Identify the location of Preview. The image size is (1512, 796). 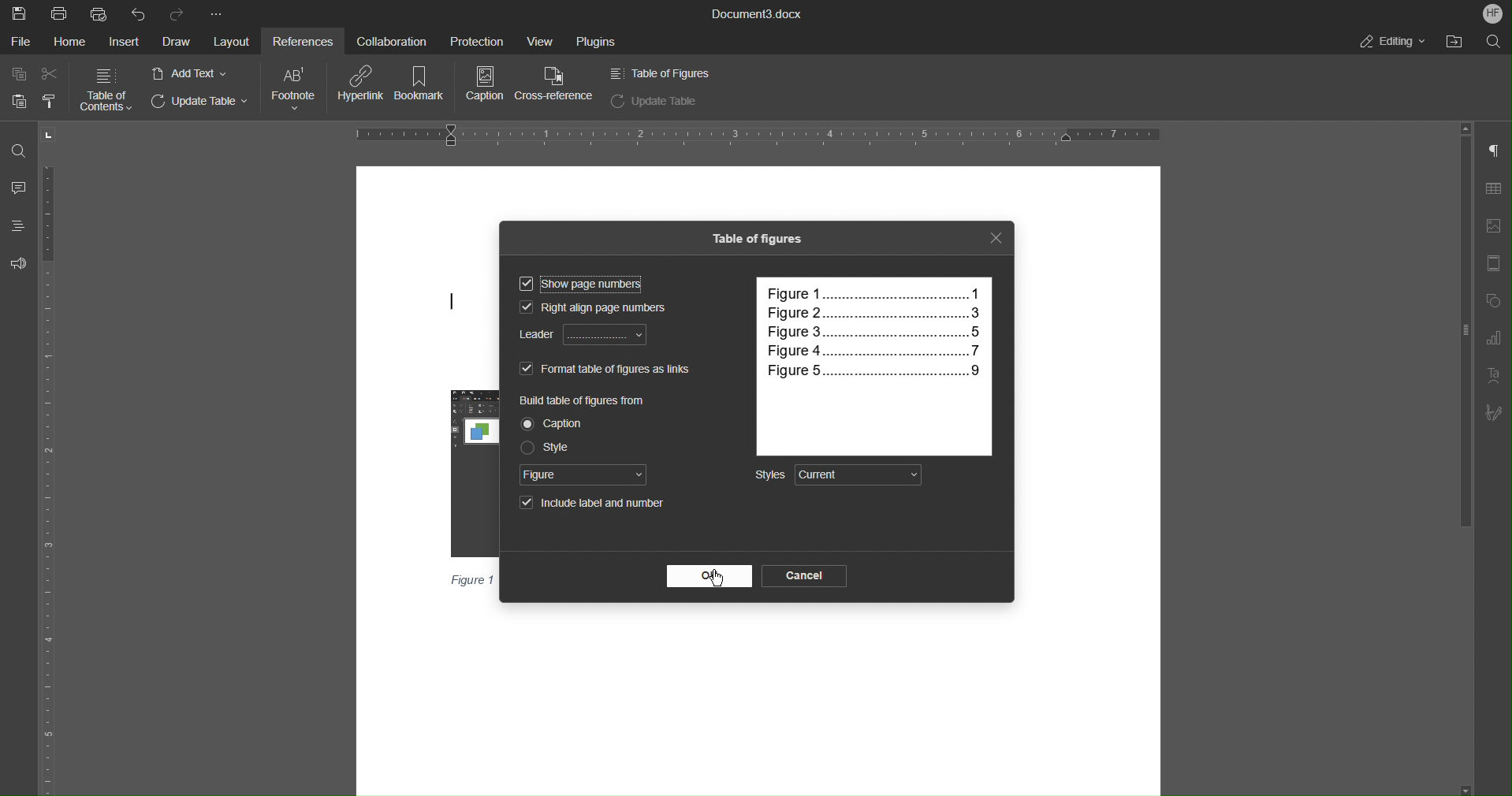
(873, 366).